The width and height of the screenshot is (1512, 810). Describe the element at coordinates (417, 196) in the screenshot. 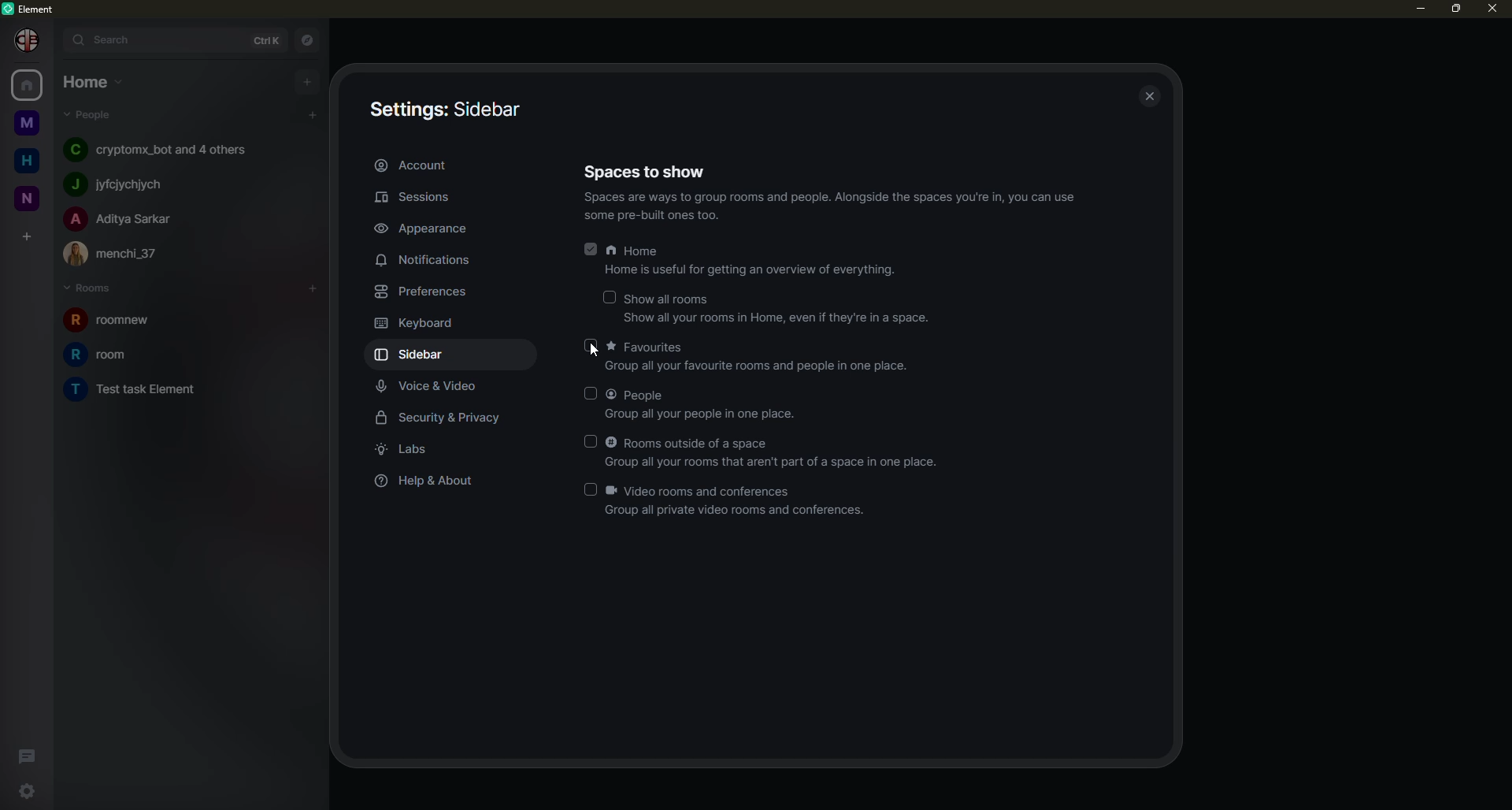

I see `sessions` at that location.